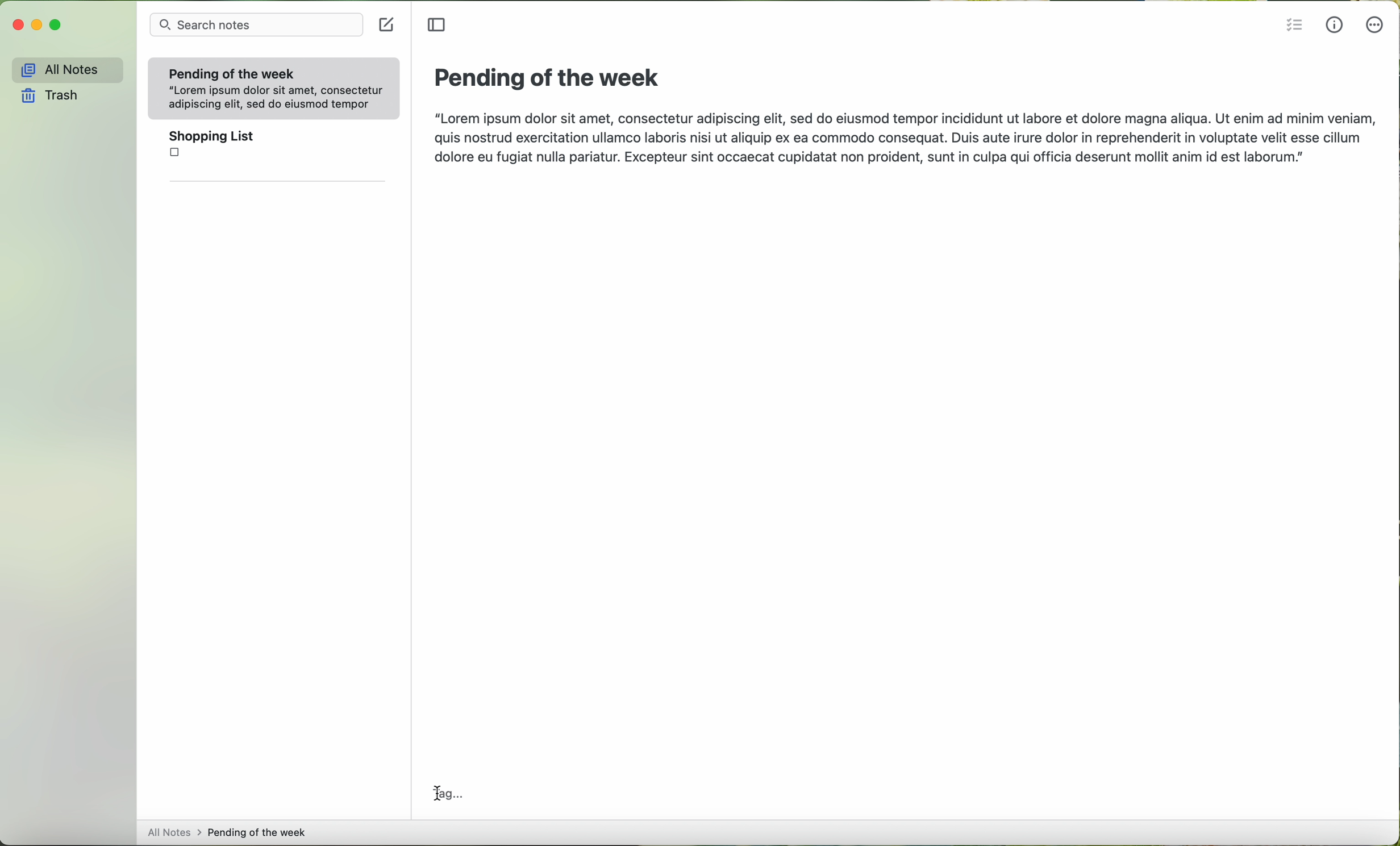 The height and width of the screenshot is (846, 1400). What do you see at coordinates (64, 69) in the screenshot?
I see `all notes` at bounding box center [64, 69].